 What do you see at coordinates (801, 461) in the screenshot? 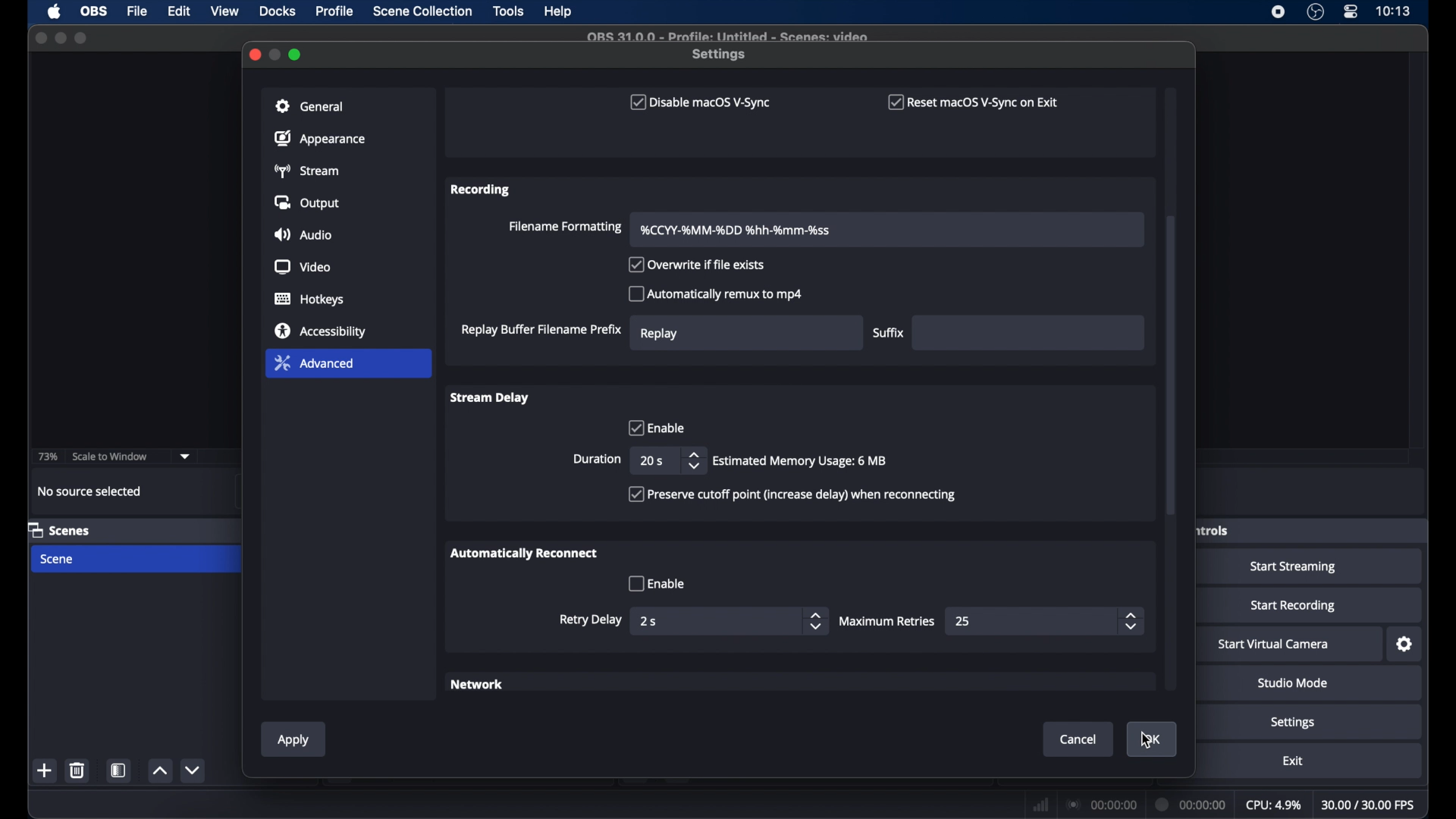
I see `info` at bounding box center [801, 461].